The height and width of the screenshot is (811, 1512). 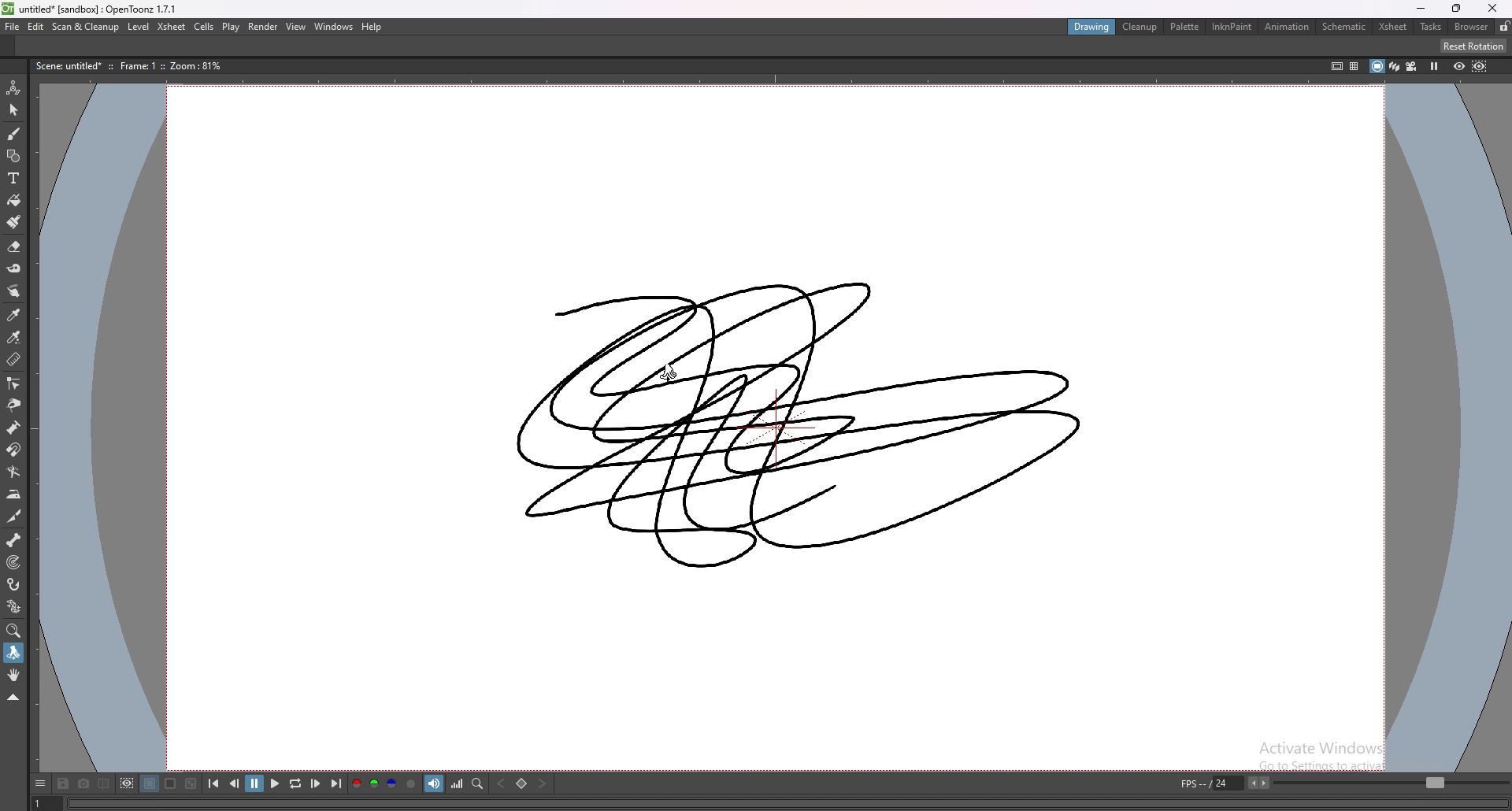 What do you see at coordinates (191, 784) in the screenshot?
I see `checkered background` at bounding box center [191, 784].